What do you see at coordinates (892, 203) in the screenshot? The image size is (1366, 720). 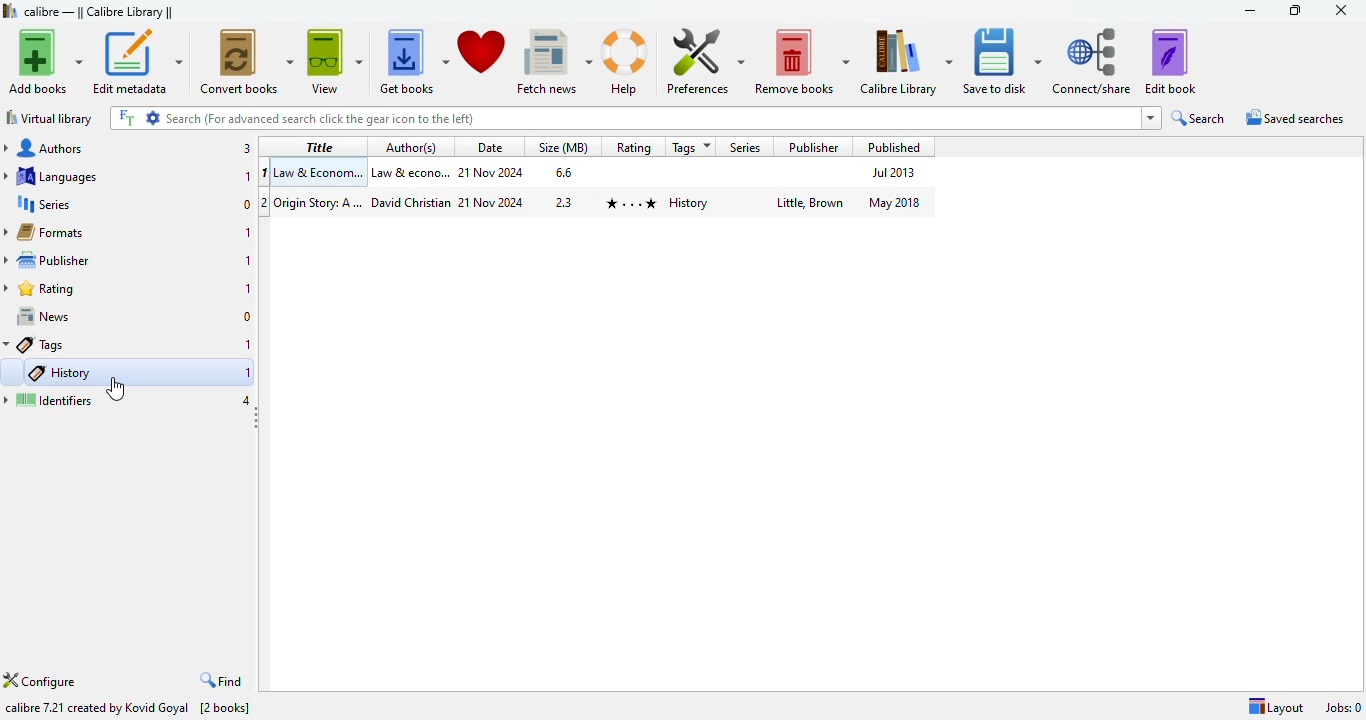 I see `may 2018` at bounding box center [892, 203].